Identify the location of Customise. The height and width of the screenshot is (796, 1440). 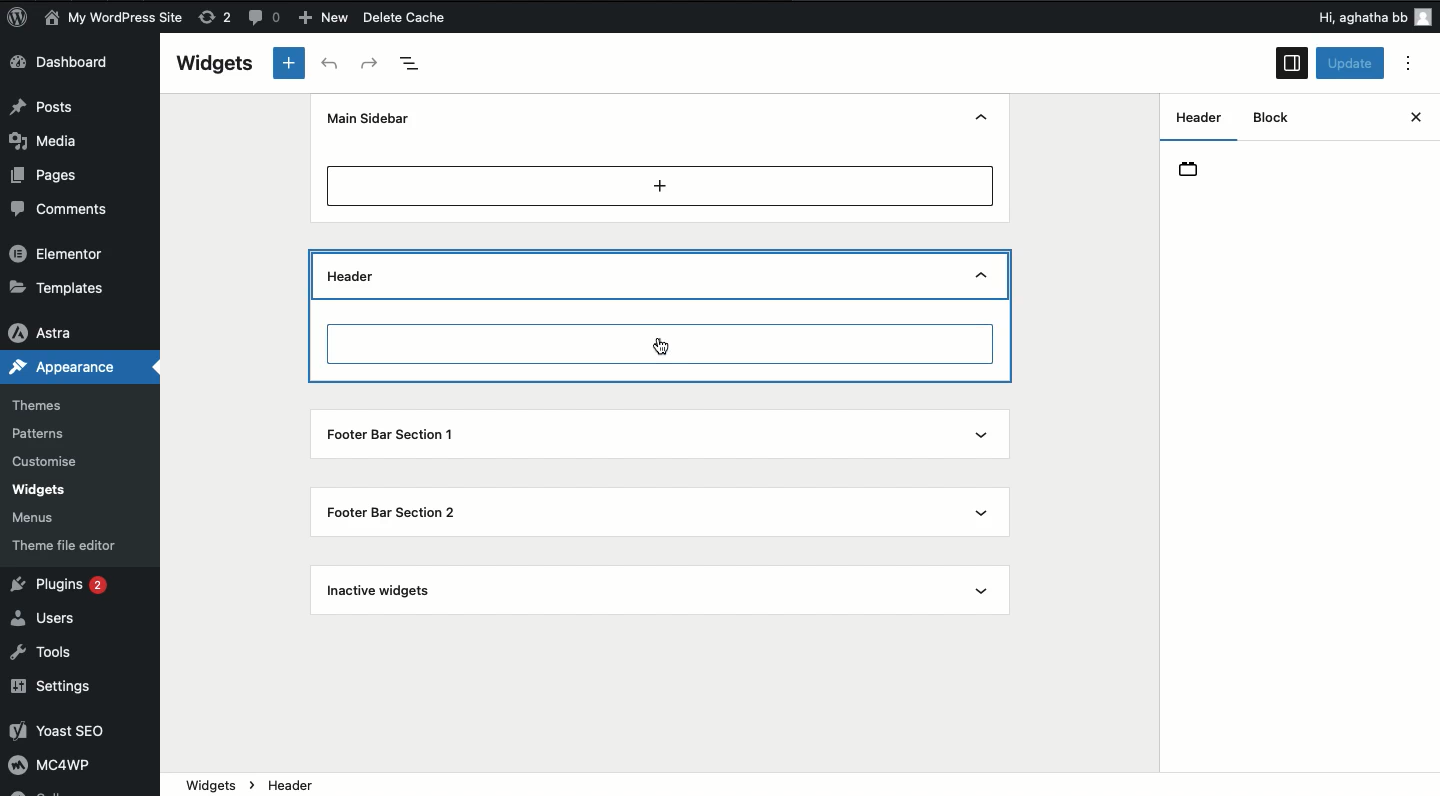
(49, 460).